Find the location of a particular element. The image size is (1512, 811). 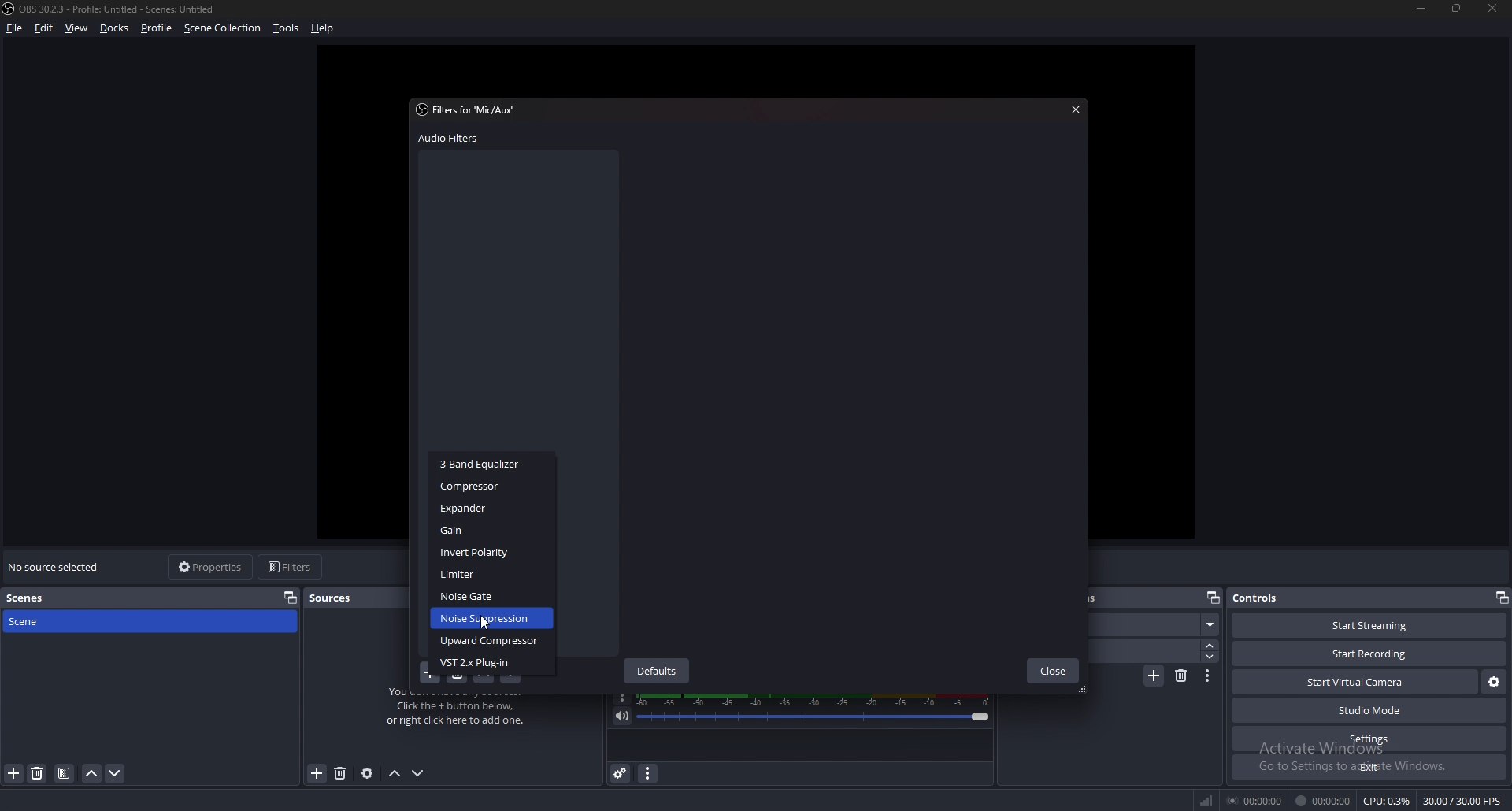

properties is located at coordinates (215, 568).